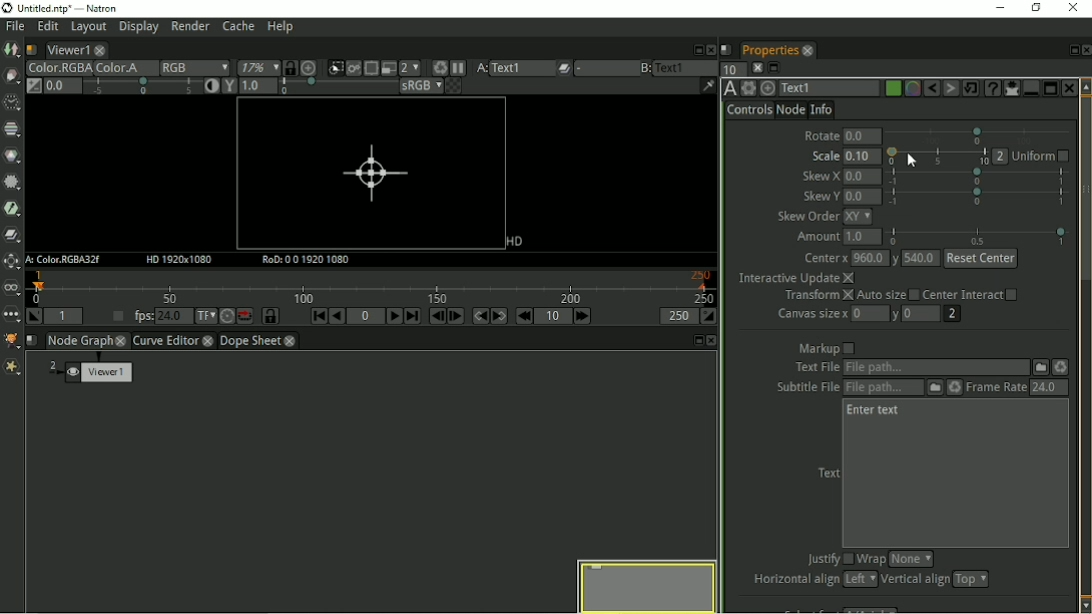 Image resolution: width=1092 pixels, height=614 pixels. I want to click on Amount, so click(932, 237).